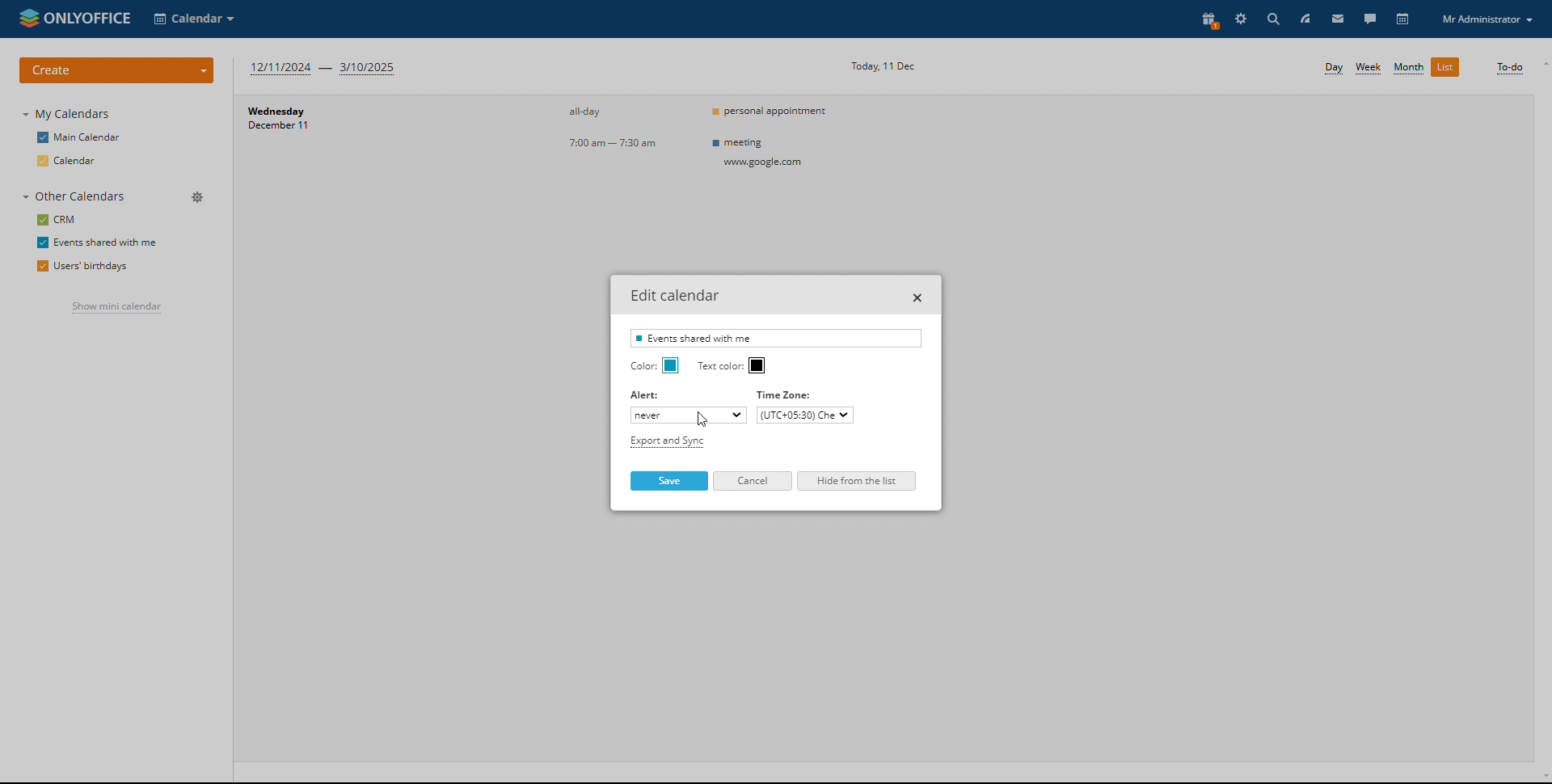 The width and height of the screenshot is (1552, 784). What do you see at coordinates (1407, 68) in the screenshot?
I see `month view` at bounding box center [1407, 68].